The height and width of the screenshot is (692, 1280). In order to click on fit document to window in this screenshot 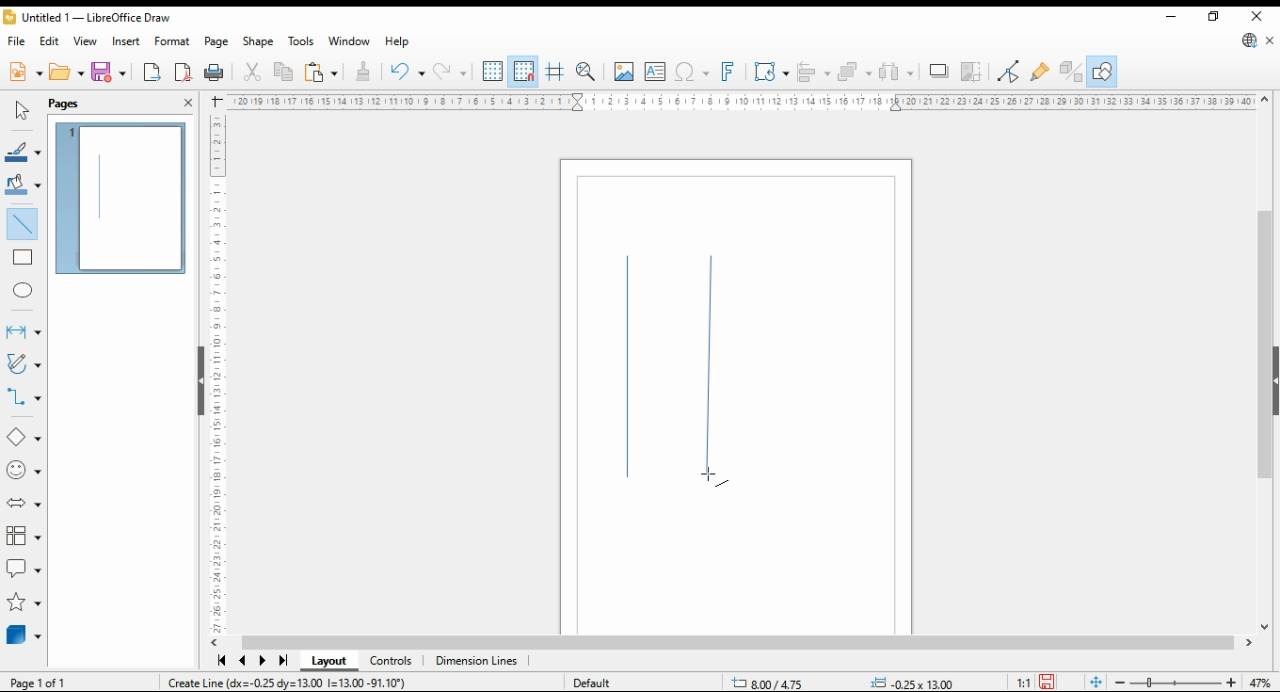, I will do `click(1094, 682)`.